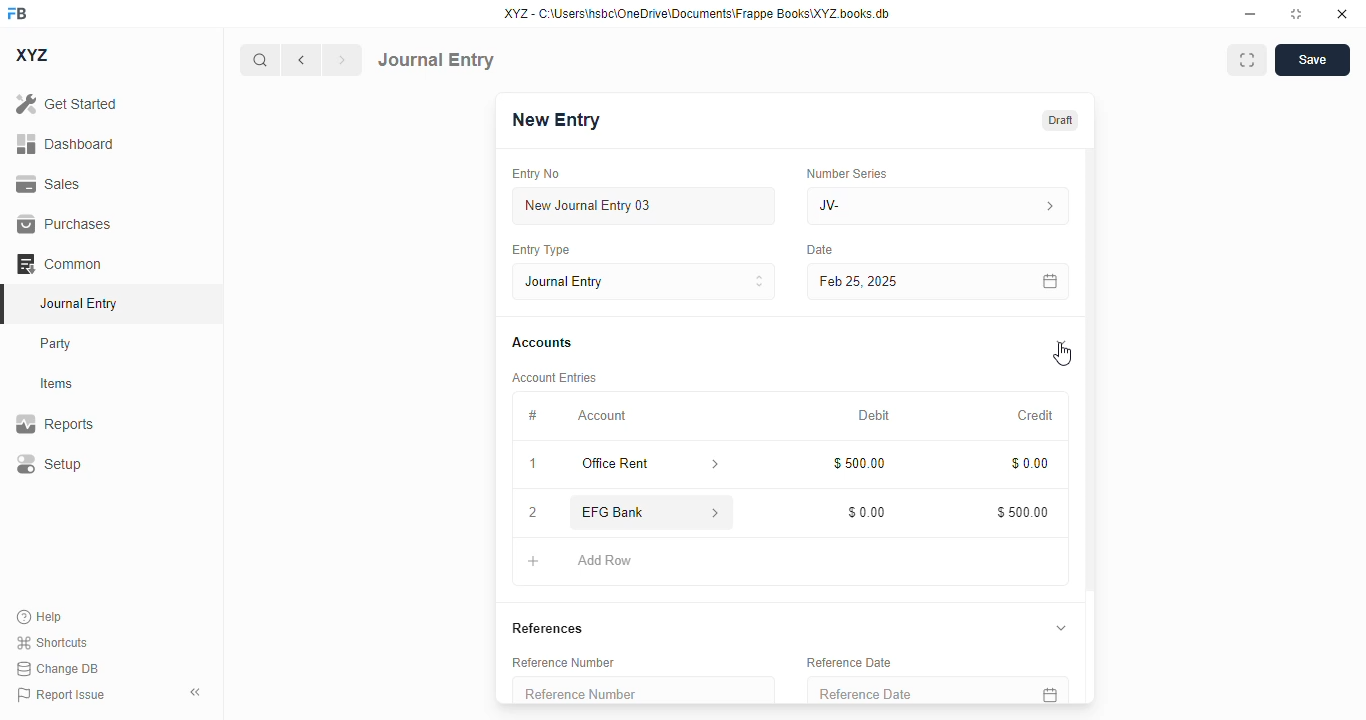 The width and height of the screenshot is (1366, 720). I want to click on help, so click(40, 617).